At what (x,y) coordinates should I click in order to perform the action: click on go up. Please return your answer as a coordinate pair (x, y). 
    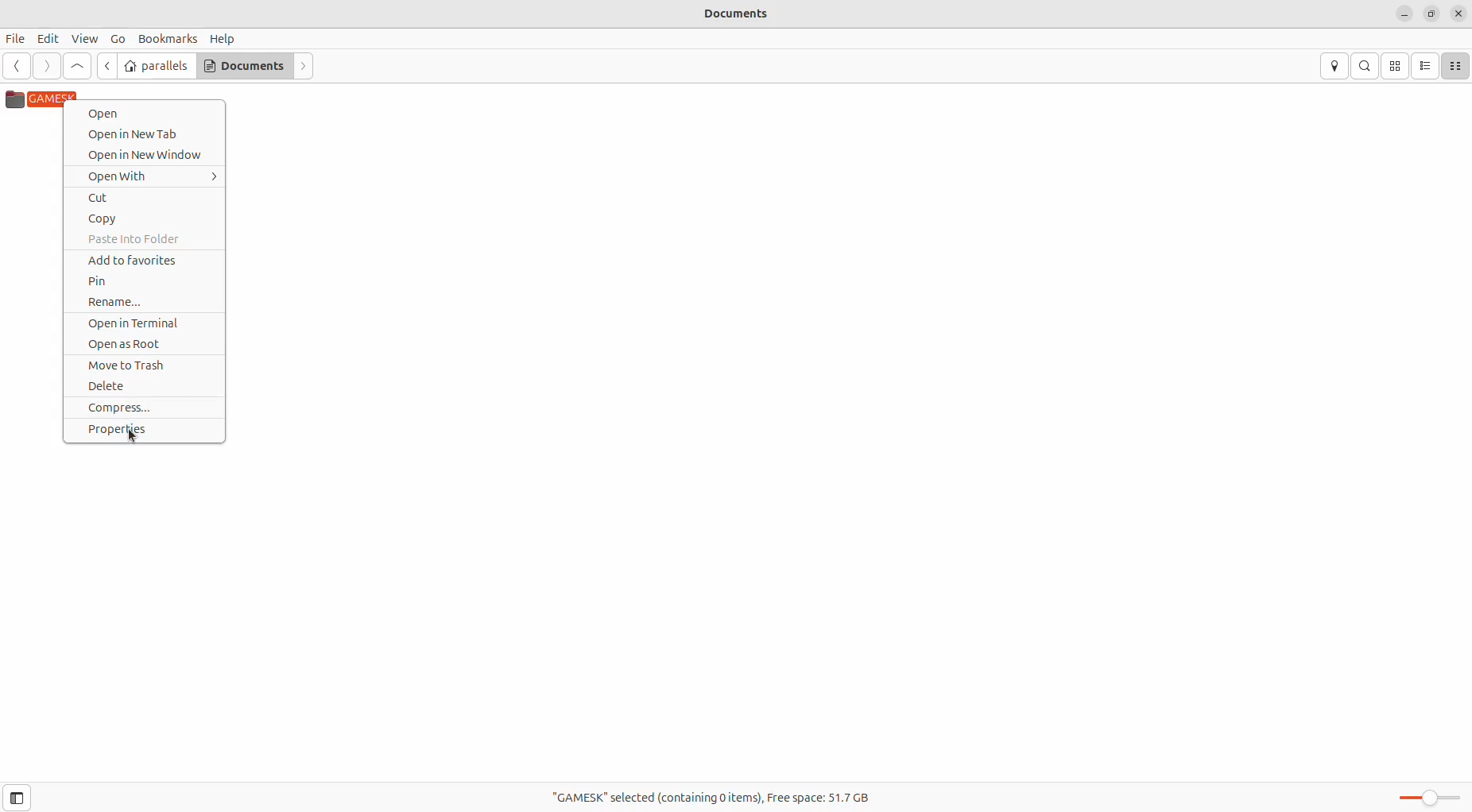
    Looking at the image, I should click on (79, 66).